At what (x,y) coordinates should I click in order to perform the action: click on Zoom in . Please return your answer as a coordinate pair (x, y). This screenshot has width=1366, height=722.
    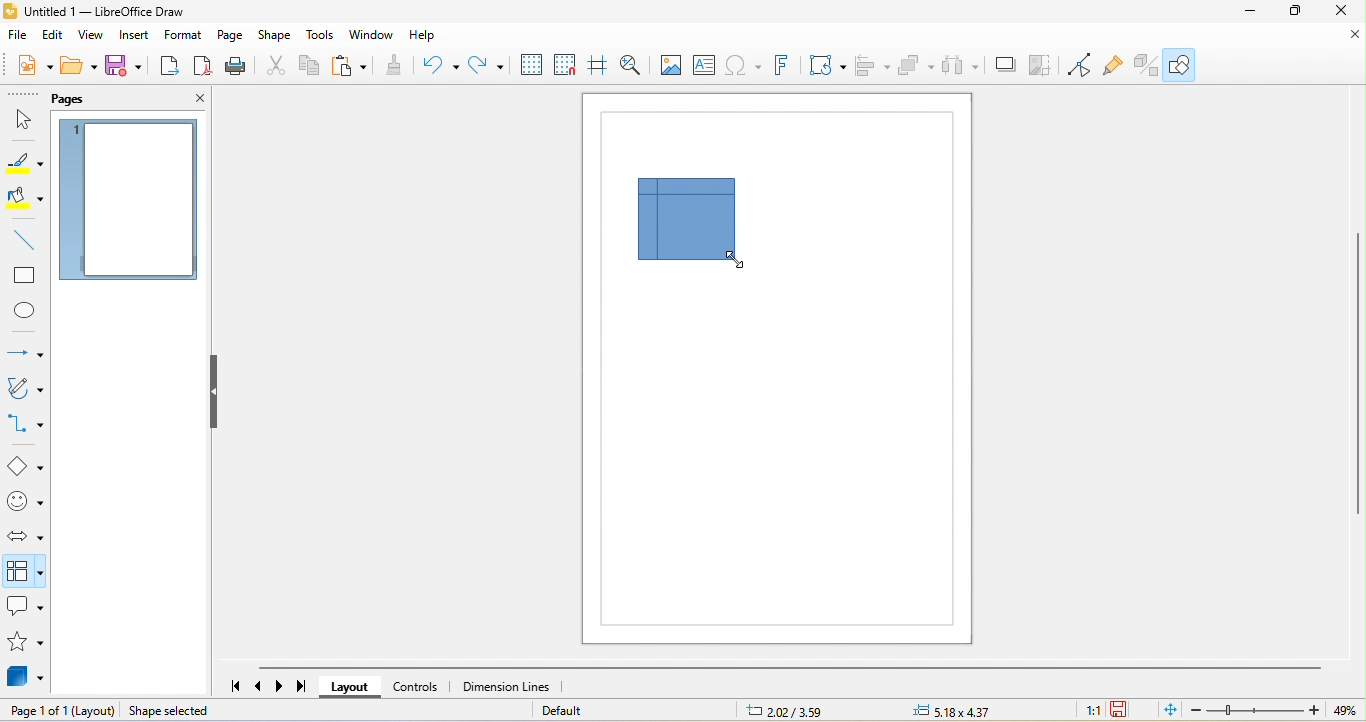
    Looking at the image, I should click on (1316, 711).